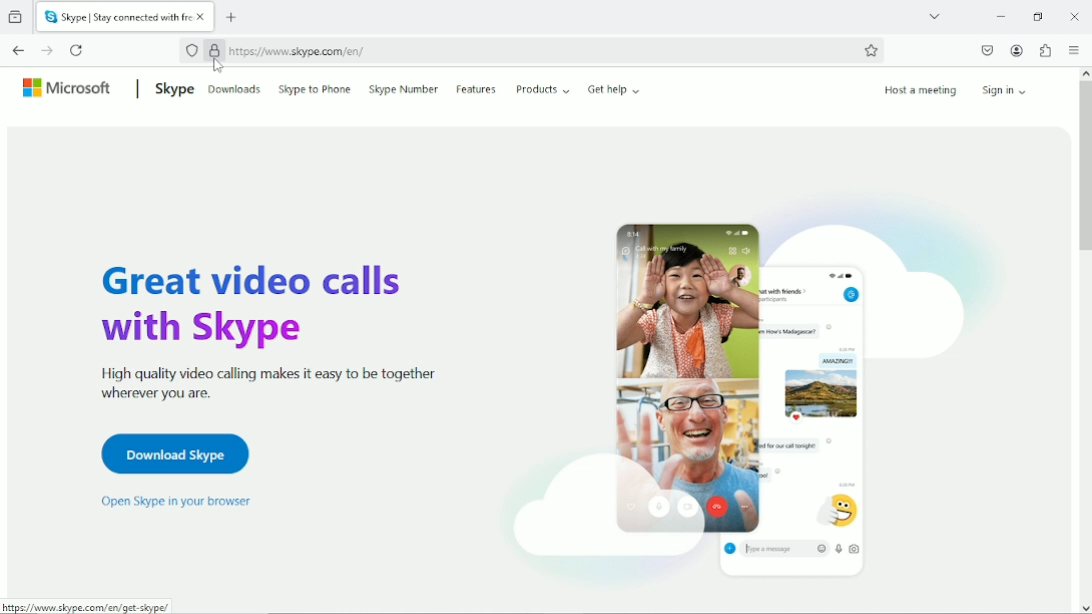  Describe the element at coordinates (403, 88) in the screenshot. I see `Skype number` at that location.